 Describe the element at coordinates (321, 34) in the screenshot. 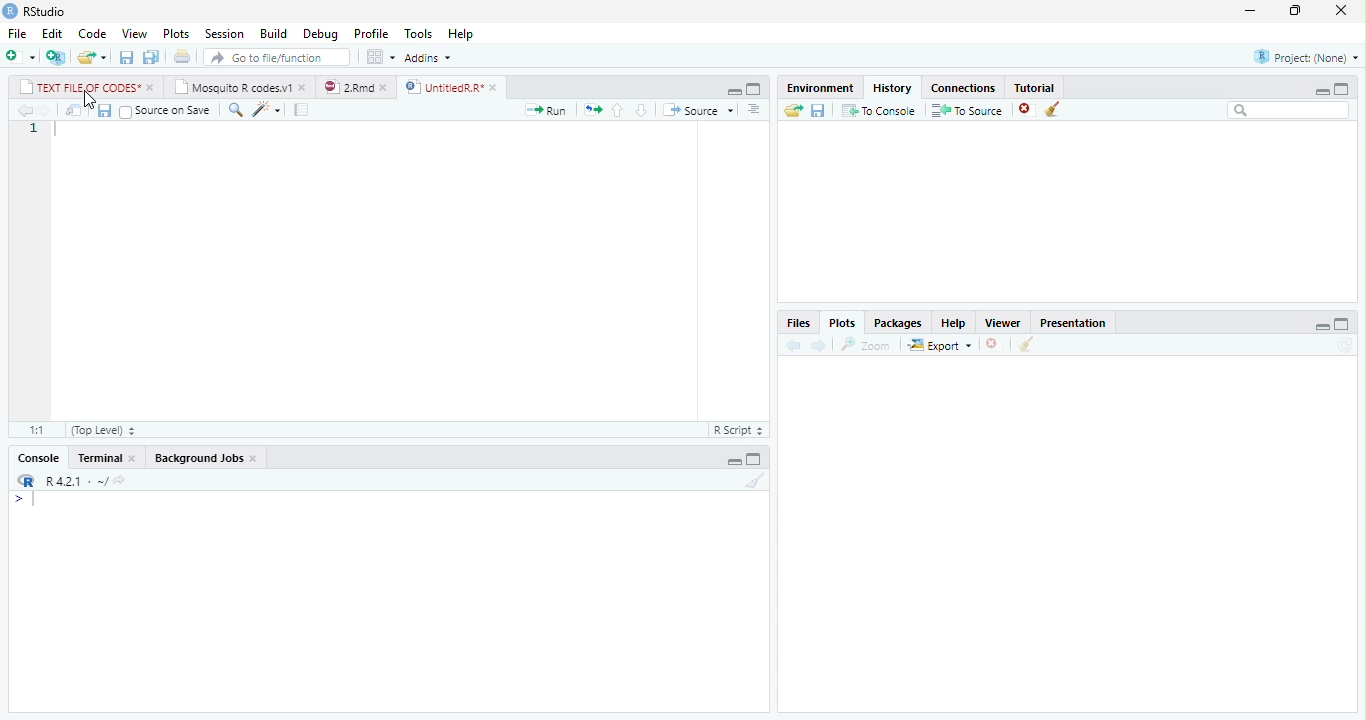

I see `Debug` at that location.